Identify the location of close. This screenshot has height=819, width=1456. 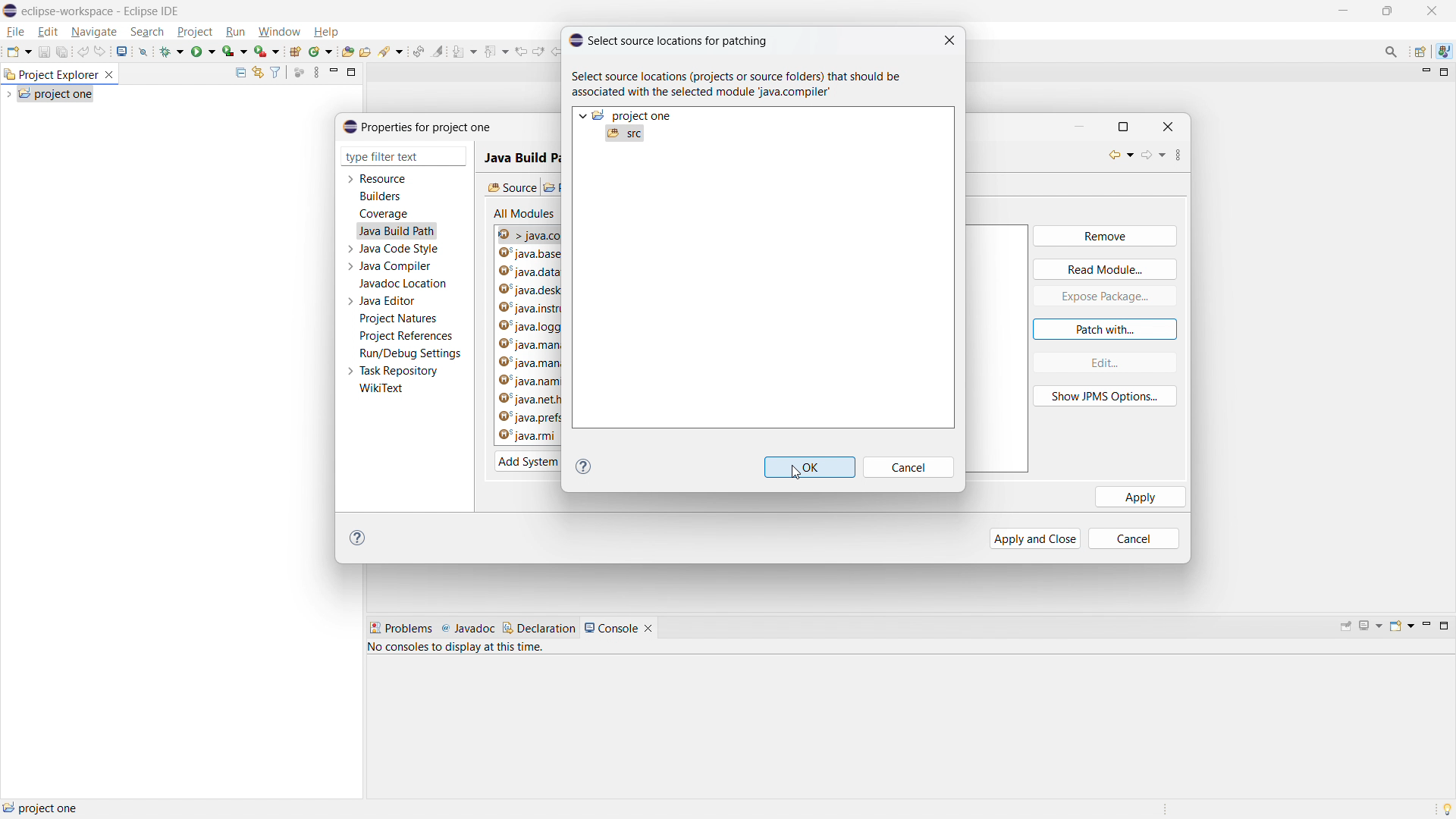
(1169, 125).